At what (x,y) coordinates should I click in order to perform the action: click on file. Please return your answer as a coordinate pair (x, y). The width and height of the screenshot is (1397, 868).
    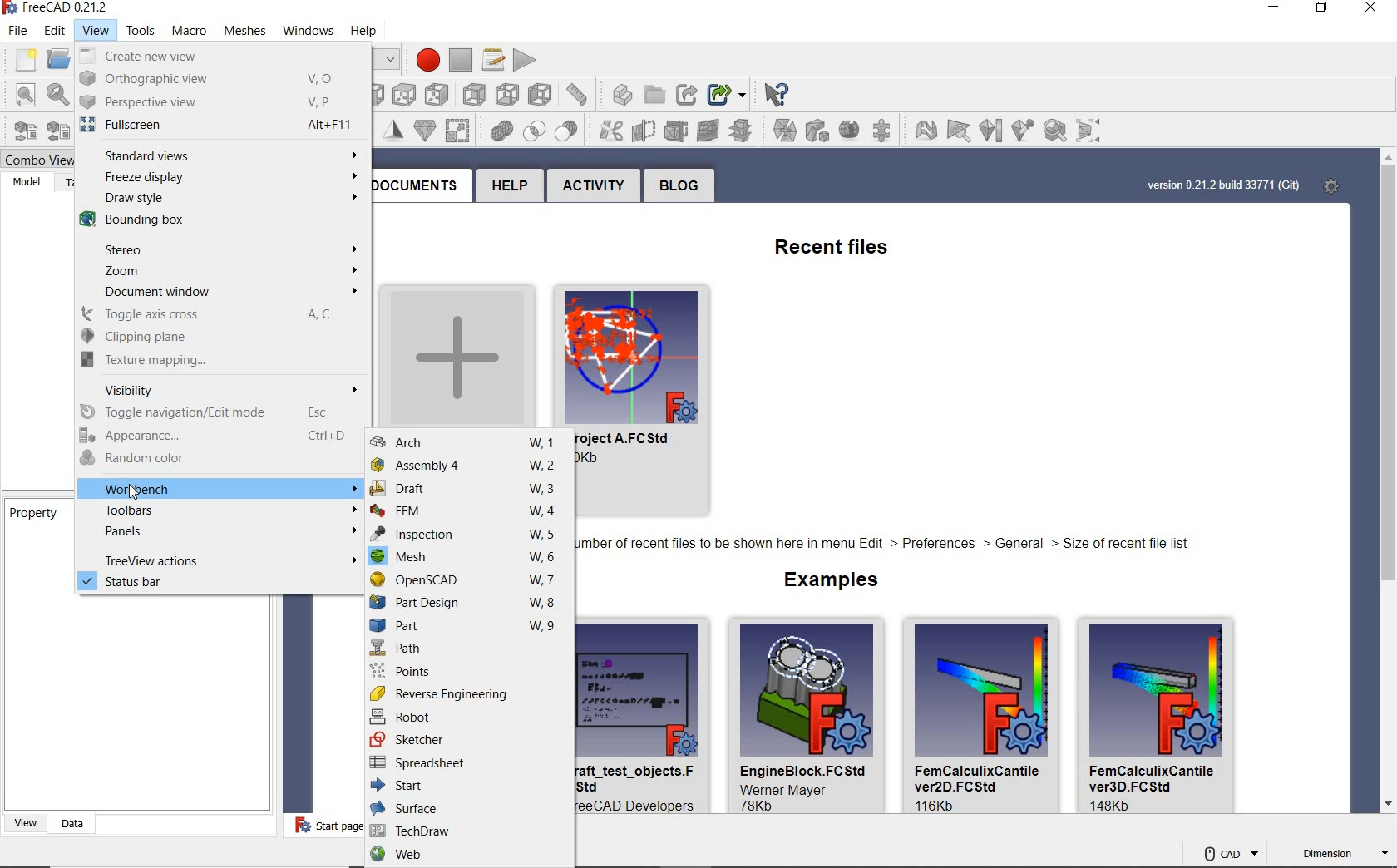
    Looking at the image, I should click on (17, 31).